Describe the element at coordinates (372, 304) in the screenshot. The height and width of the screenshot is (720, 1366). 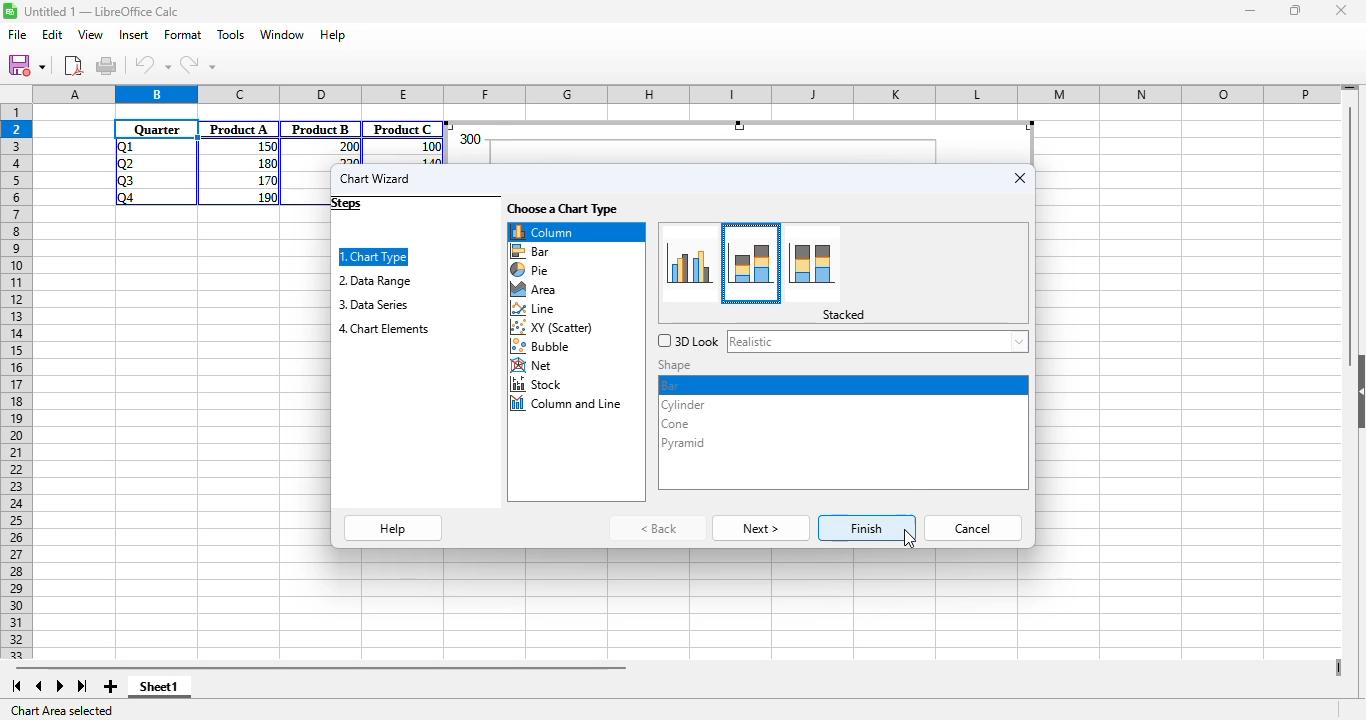
I see `3. data series` at that location.